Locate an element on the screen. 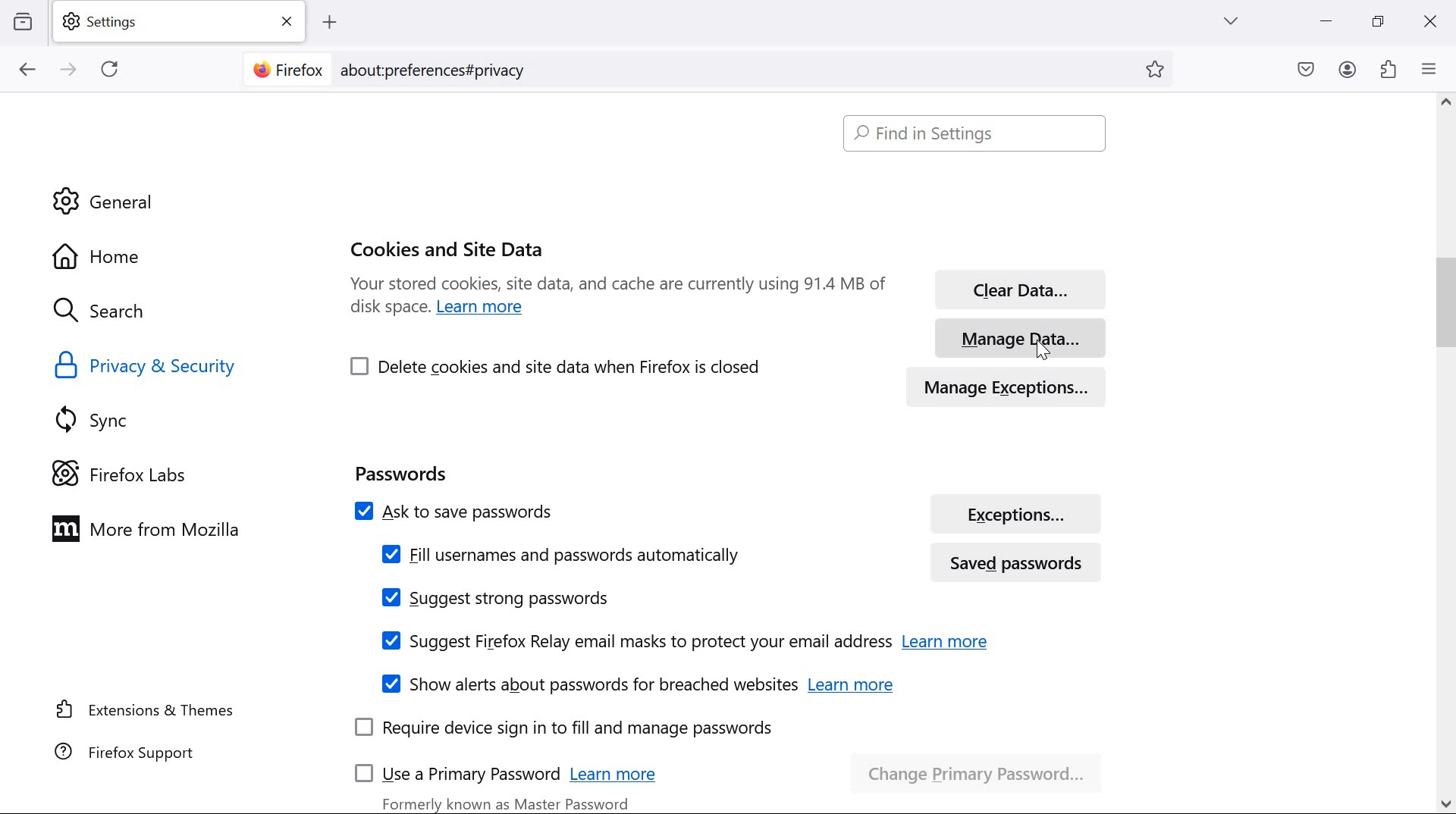 The image size is (1456, 814). more from Mozilla is located at coordinates (154, 528).